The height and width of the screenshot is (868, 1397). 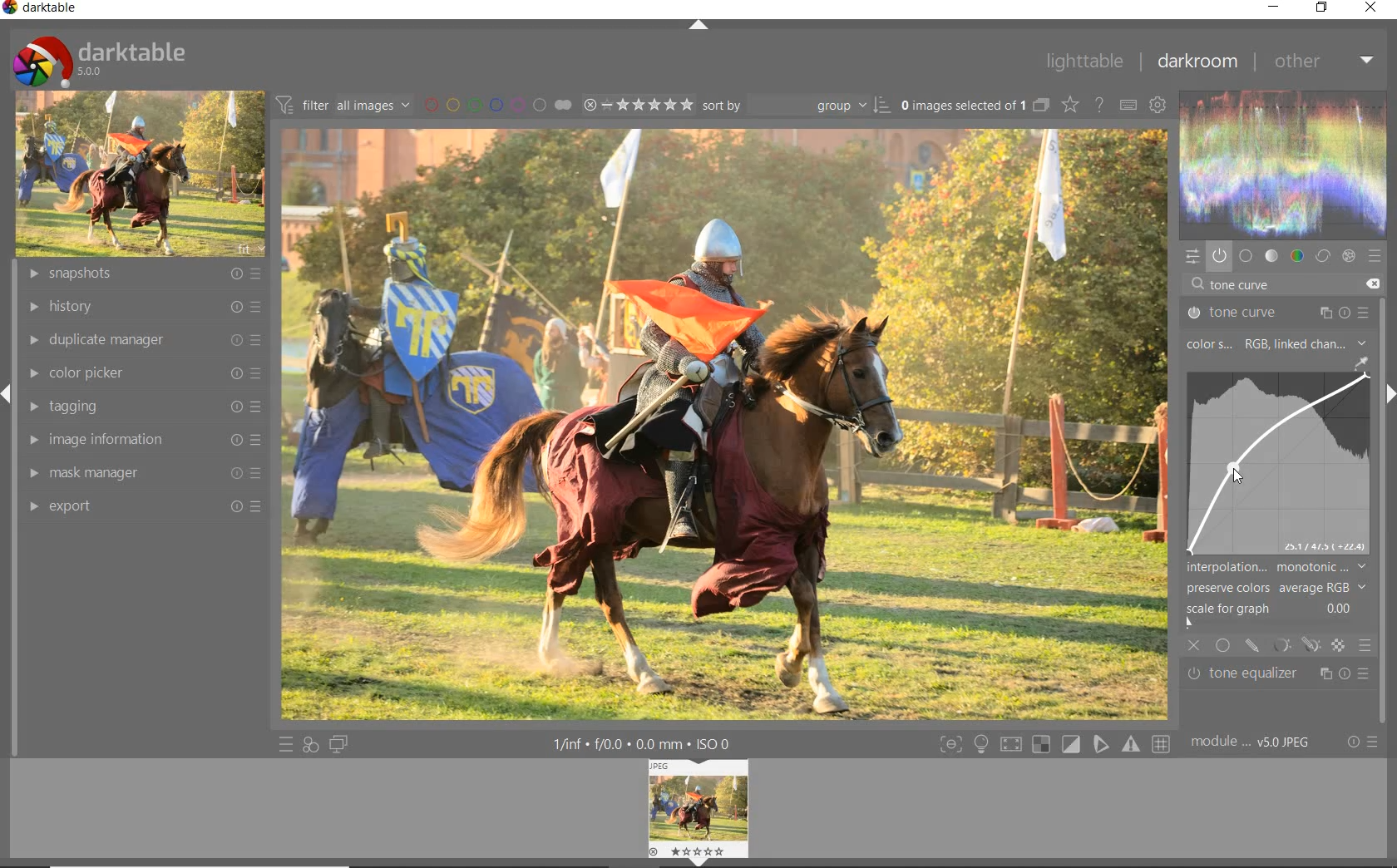 I want to click on presets, so click(x=1375, y=257).